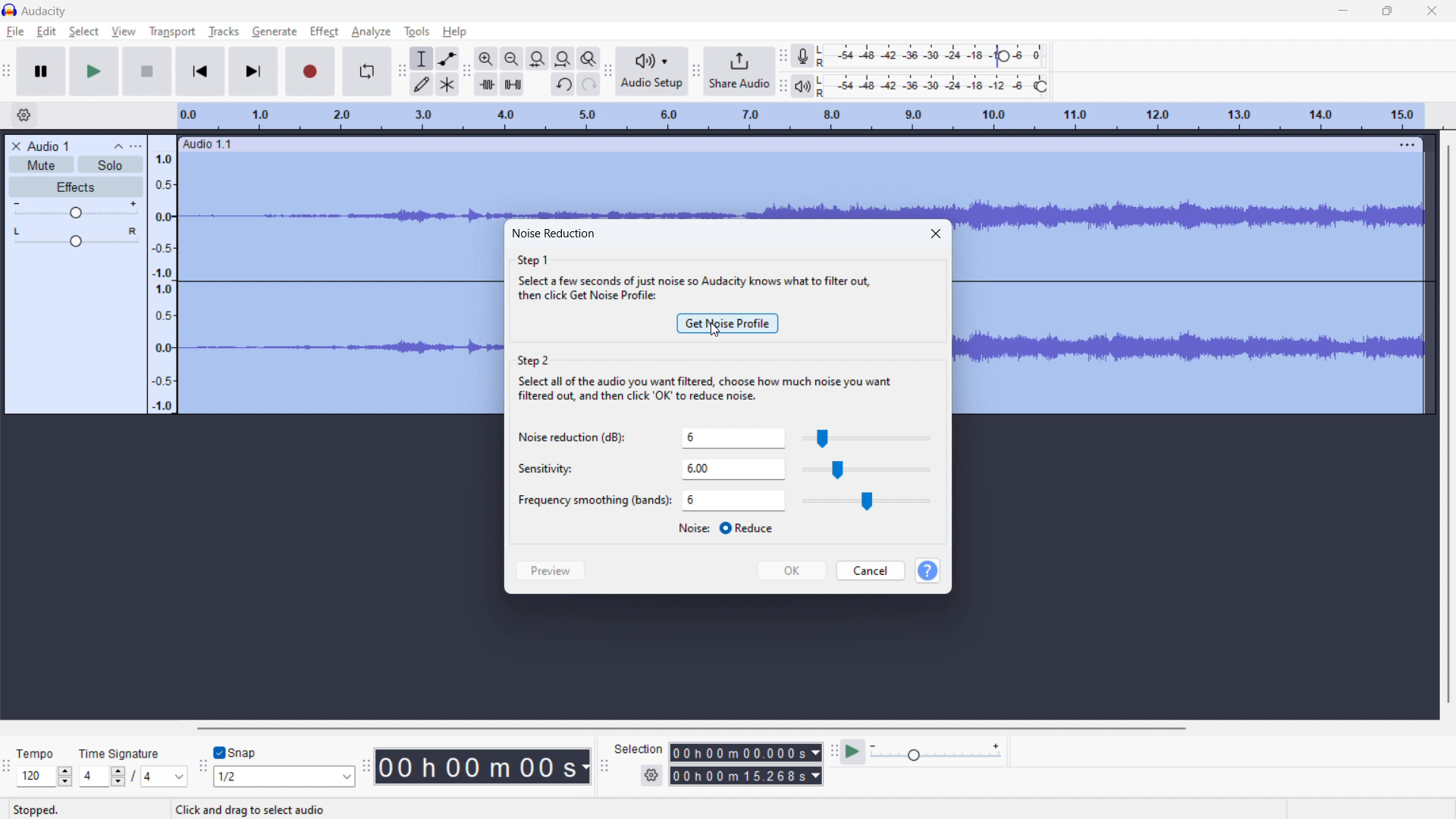 The image size is (1456, 819). What do you see at coordinates (551, 572) in the screenshot?
I see `preview` at bounding box center [551, 572].